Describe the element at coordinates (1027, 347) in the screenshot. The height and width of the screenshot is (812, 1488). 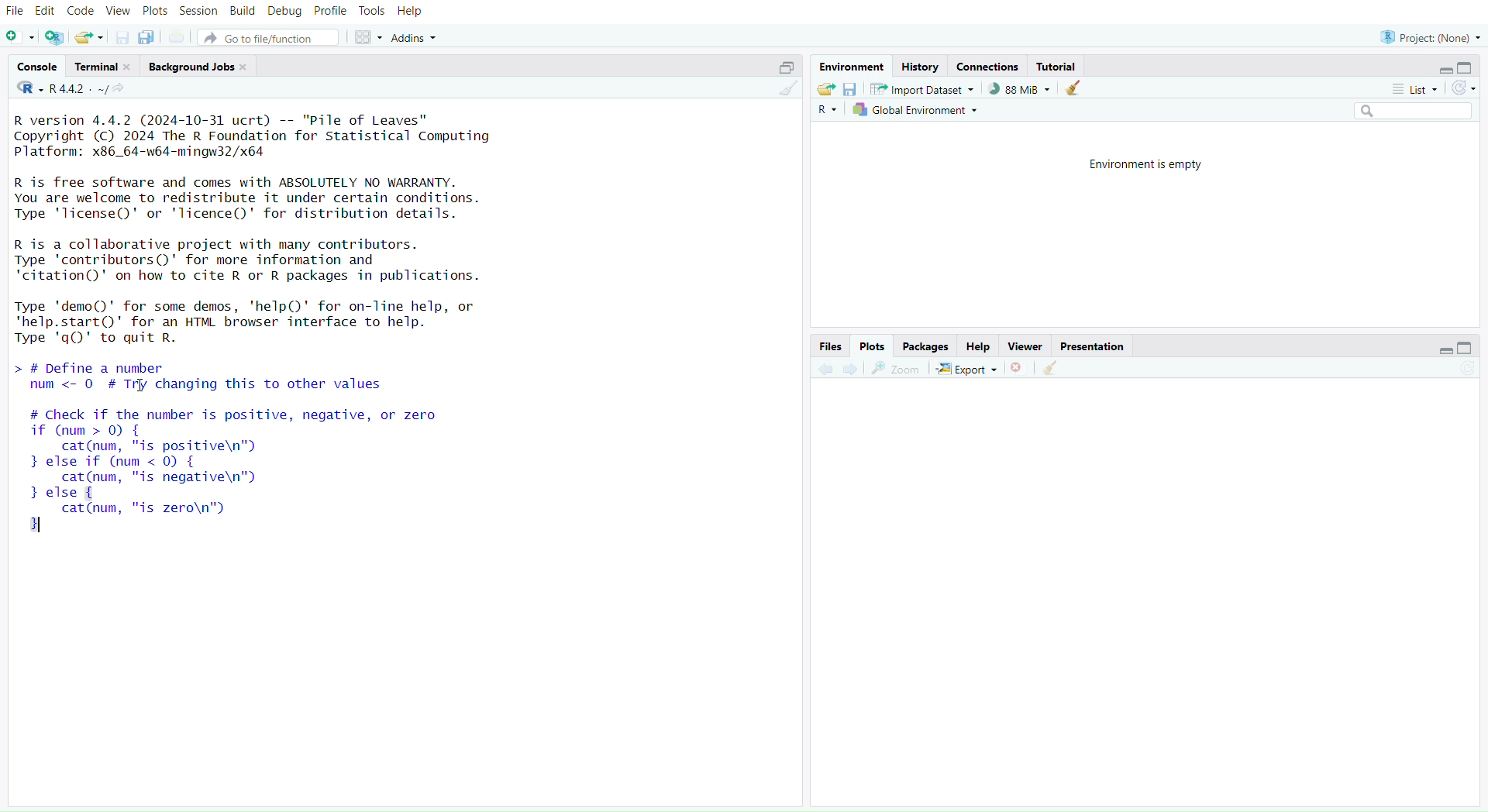
I see `viewer` at that location.